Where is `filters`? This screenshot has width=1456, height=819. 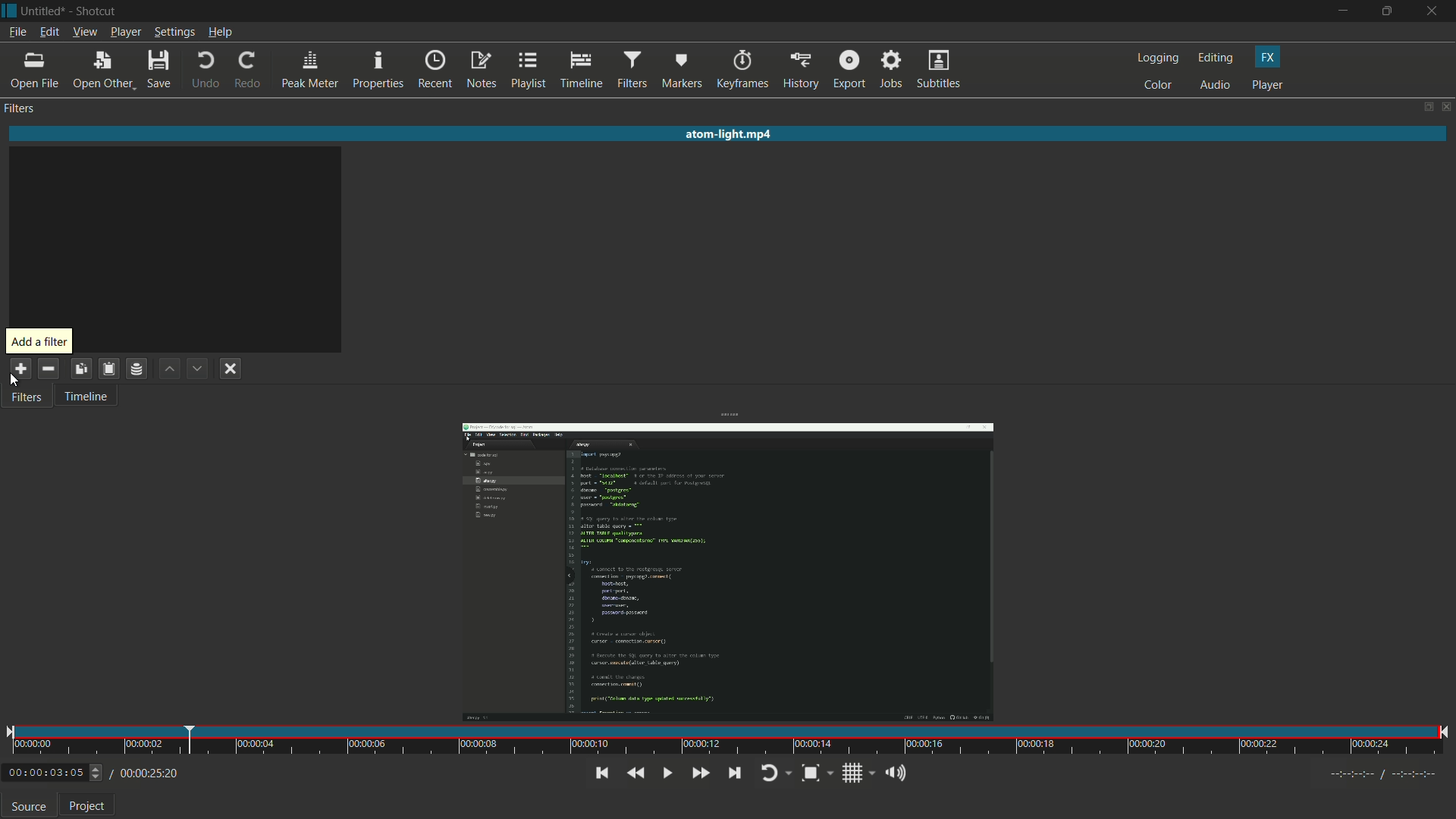
filters is located at coordinates (21, 108).